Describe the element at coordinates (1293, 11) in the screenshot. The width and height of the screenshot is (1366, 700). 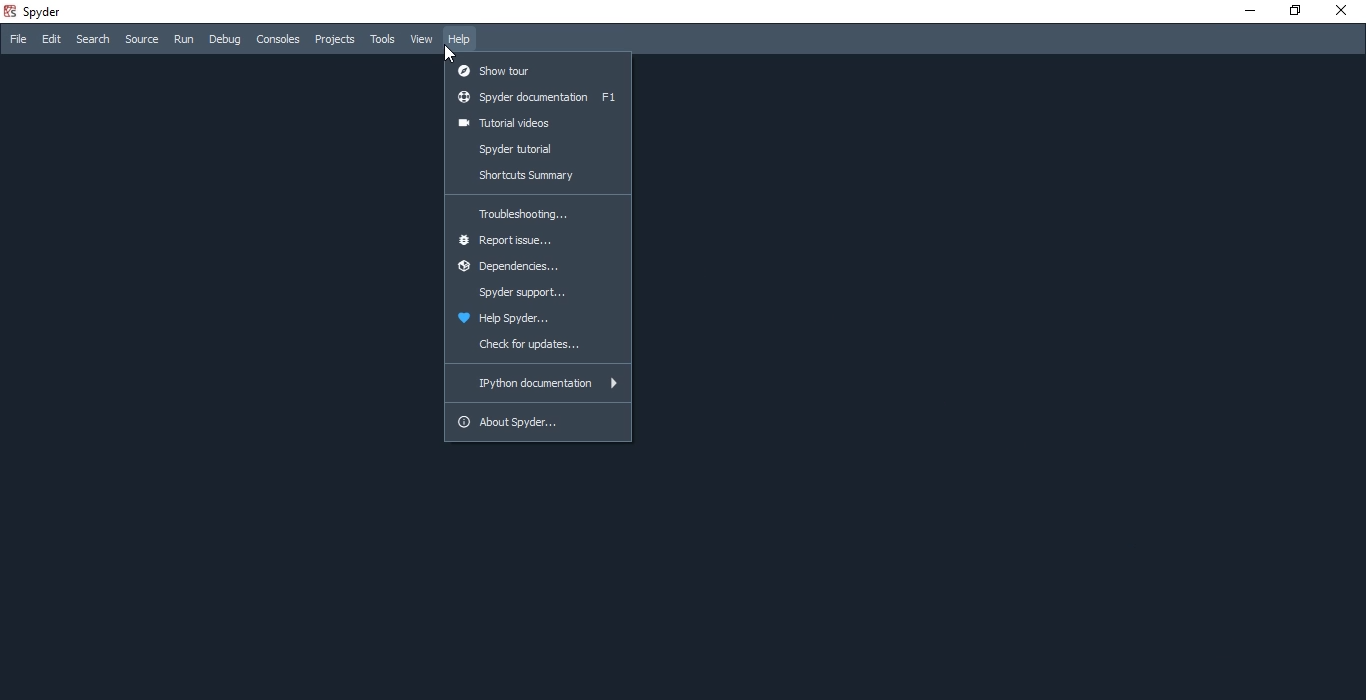
I see `restore` at that location.